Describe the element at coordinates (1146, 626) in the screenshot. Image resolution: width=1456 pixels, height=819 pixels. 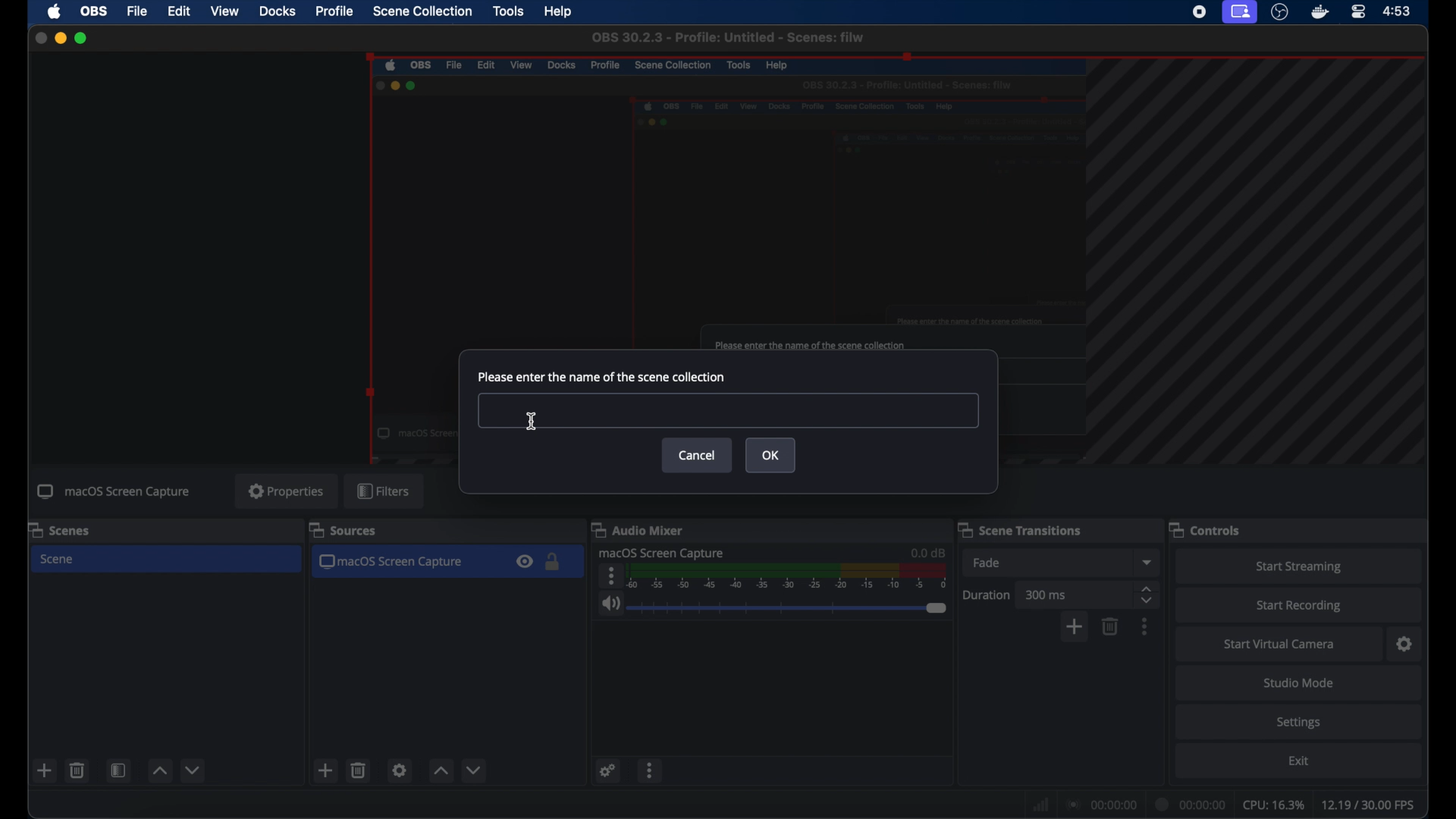
I see `more options` at that location.